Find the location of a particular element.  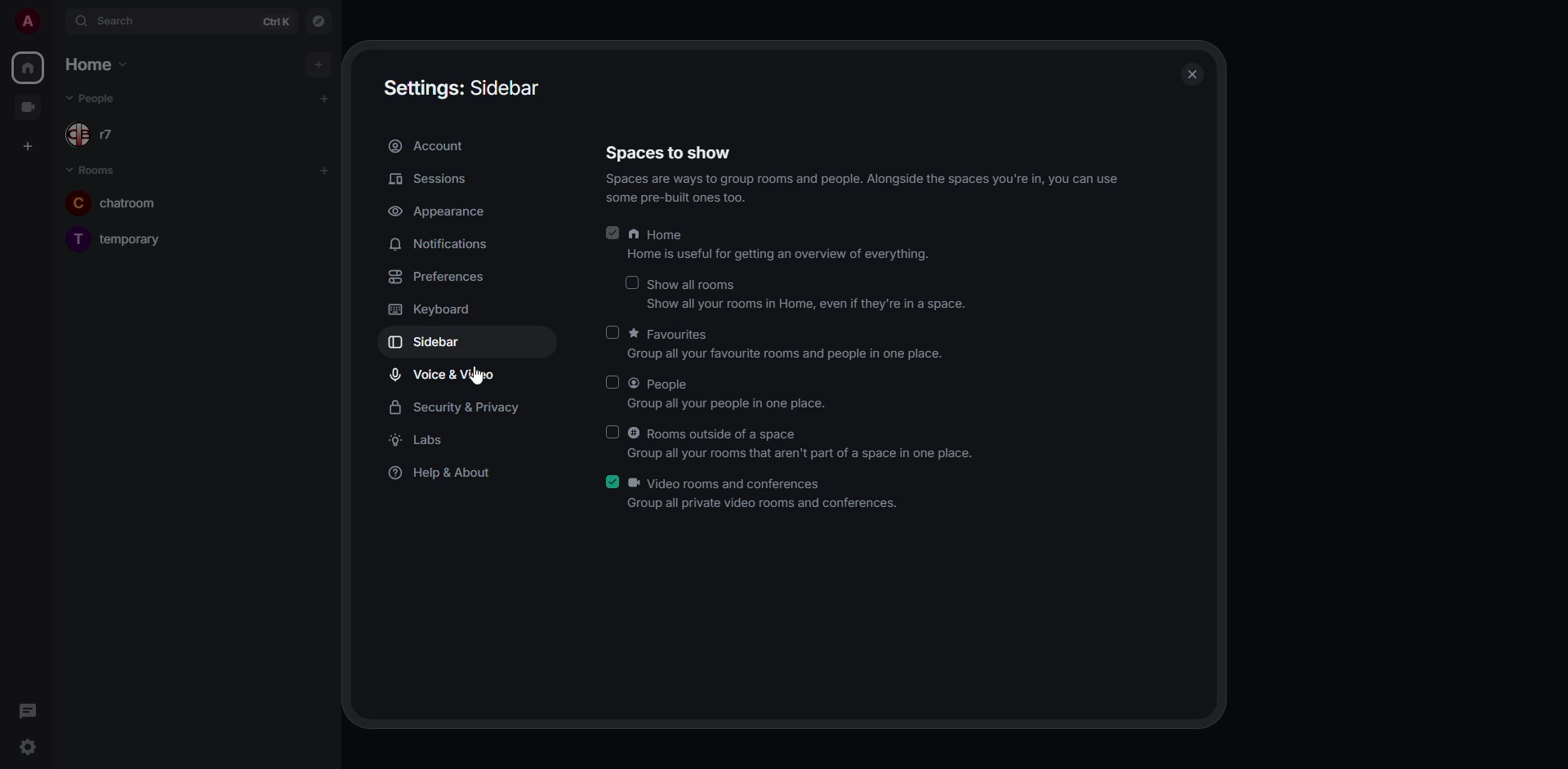

sidebar is located at coordinates (443, 344).